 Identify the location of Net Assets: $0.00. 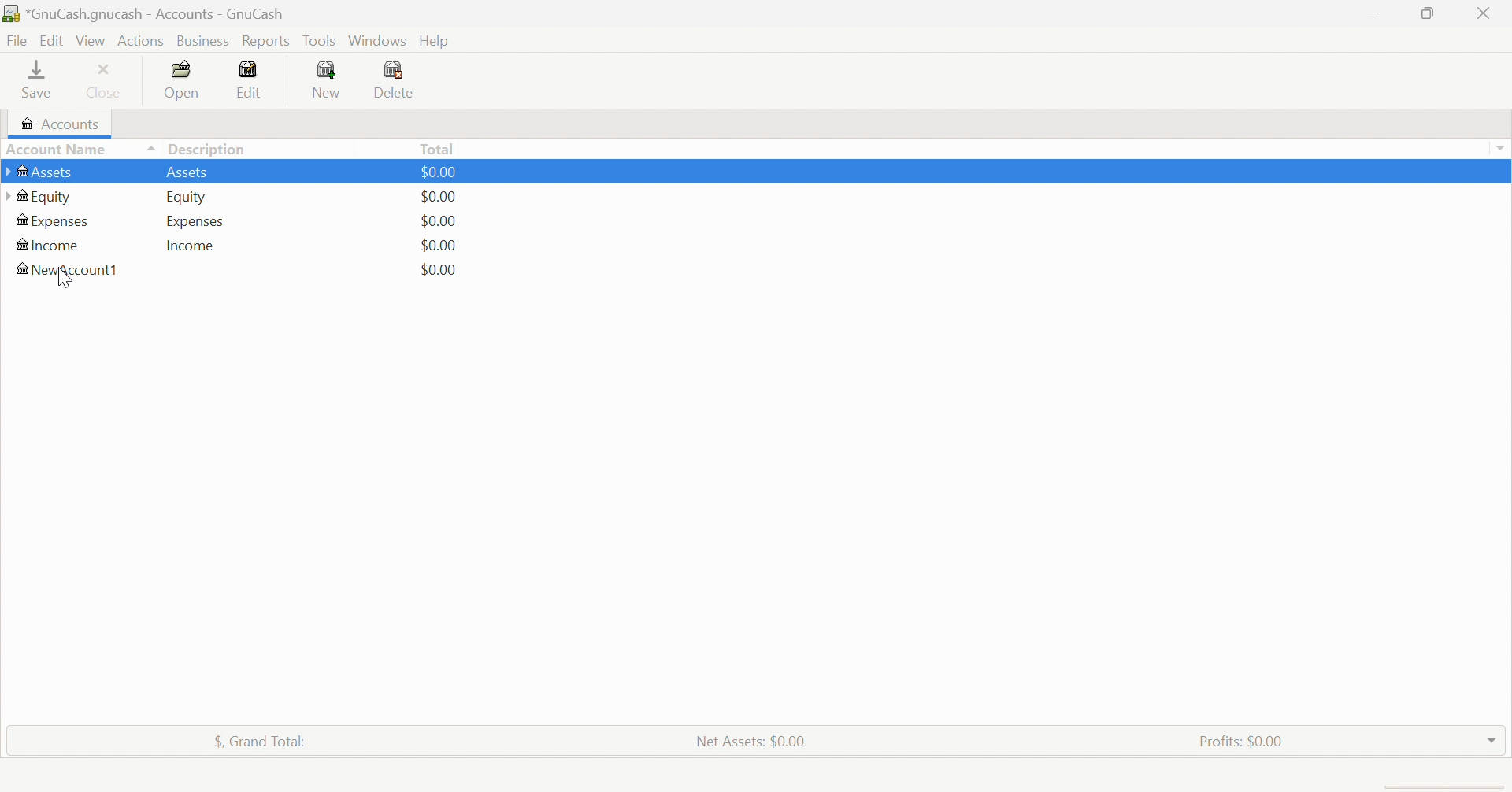
(751, 741).